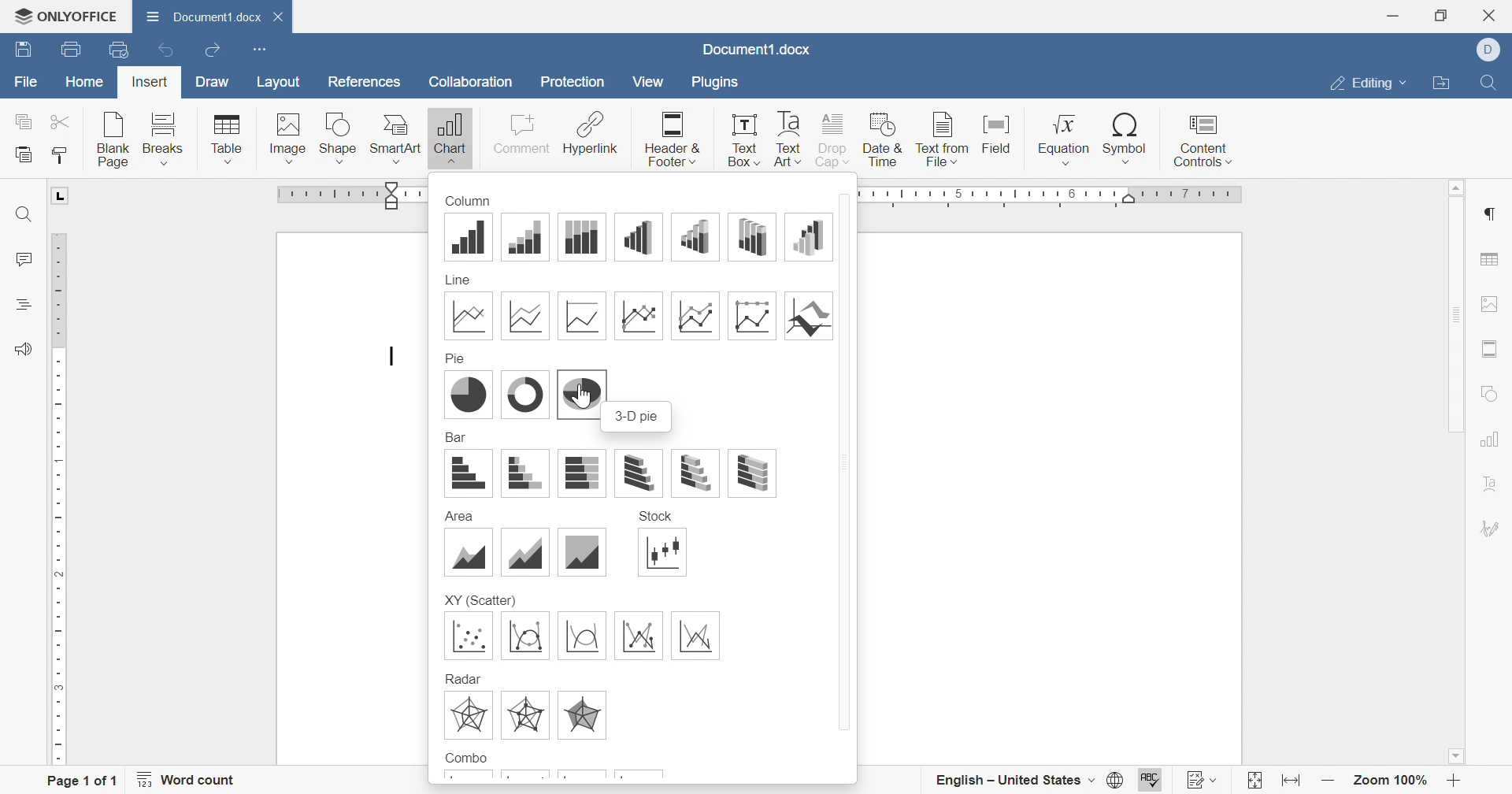  Describe the element at coordinates (23, 81) in the screenshot. I see `File` at that location.